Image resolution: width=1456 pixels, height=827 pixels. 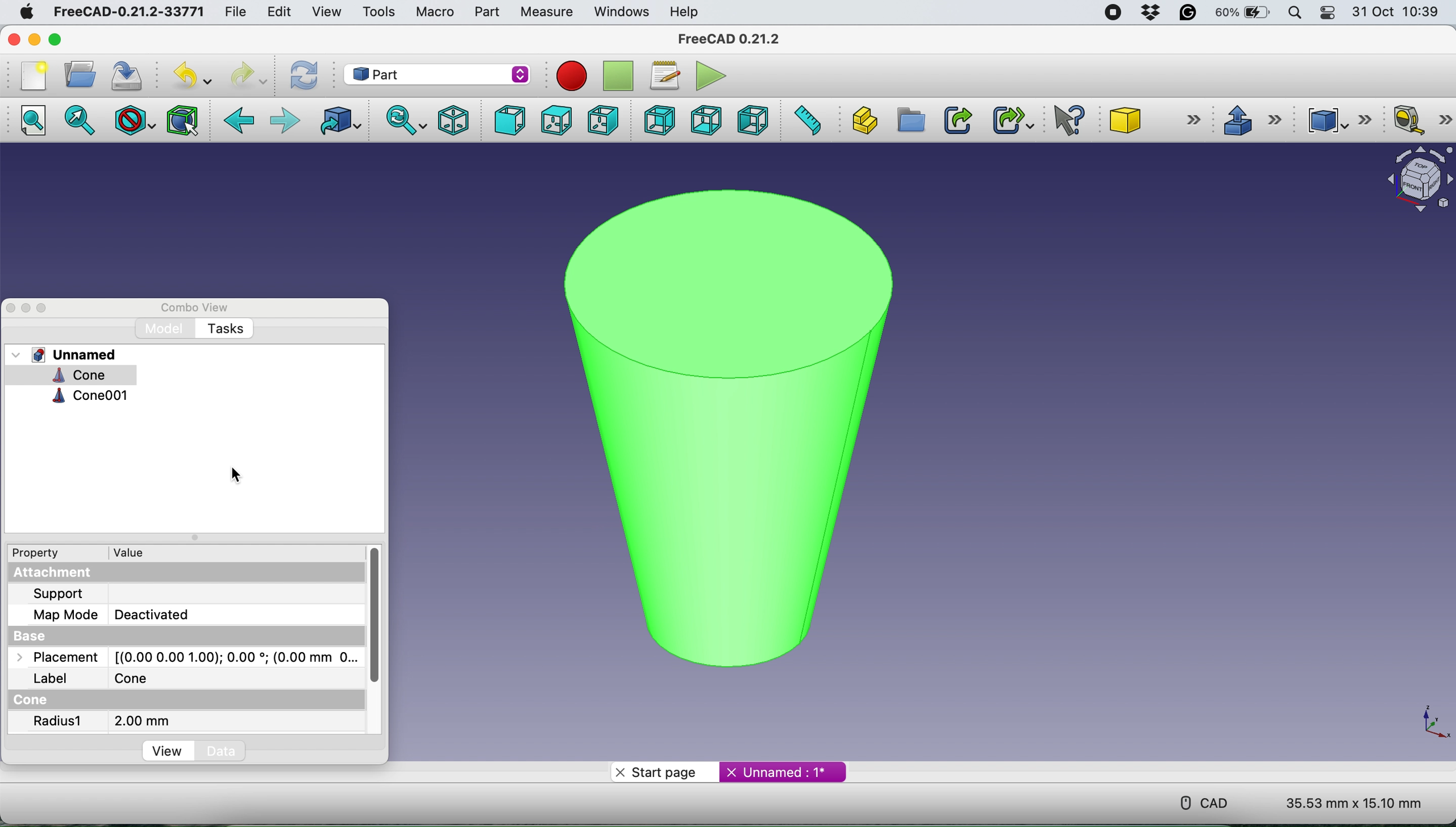 I want to click on left, so click(x=755, y=120).